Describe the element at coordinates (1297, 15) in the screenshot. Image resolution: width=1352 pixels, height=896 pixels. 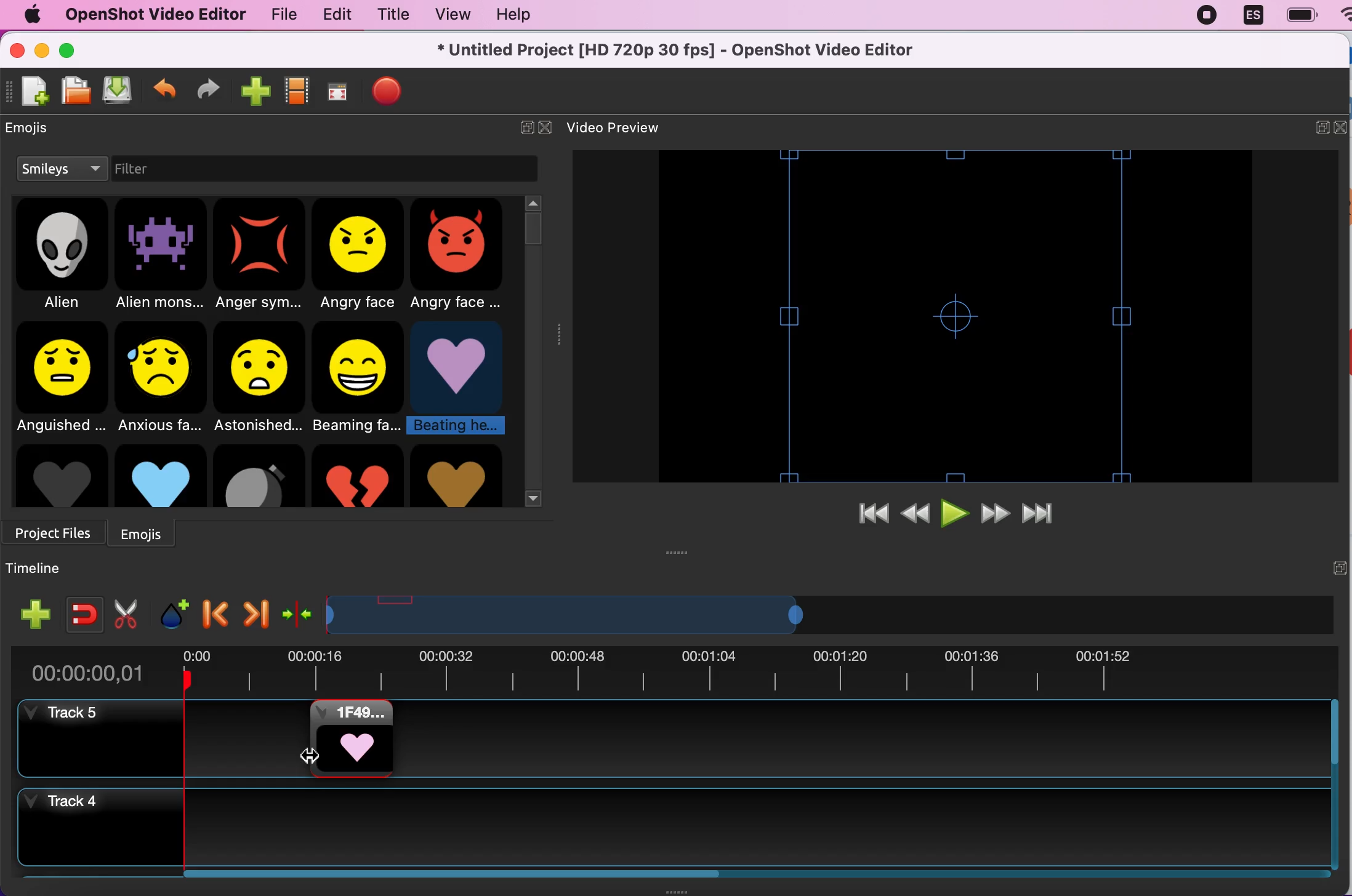
I see `battery` at that location.